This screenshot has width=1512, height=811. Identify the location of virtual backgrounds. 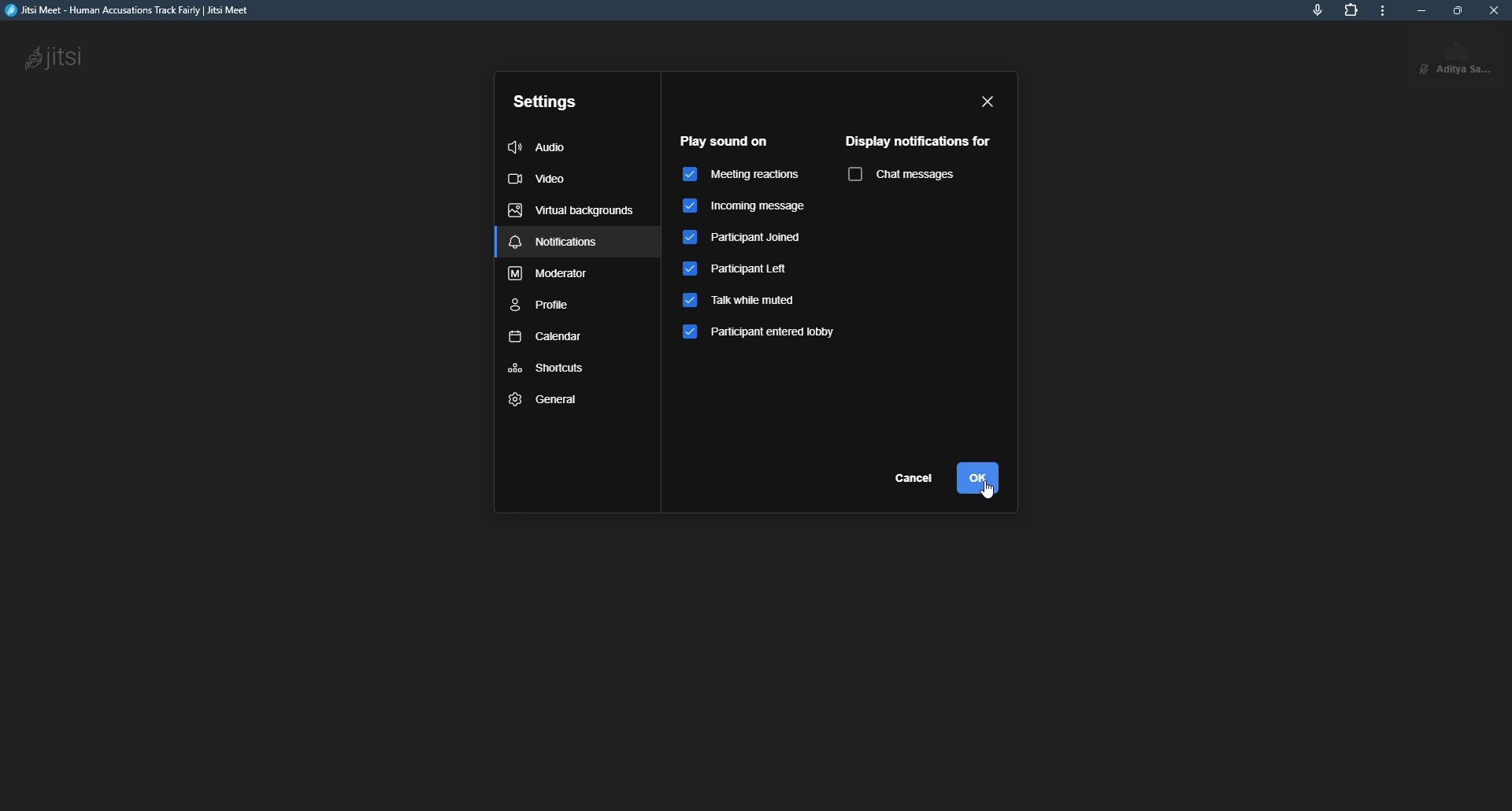
(572, 210).